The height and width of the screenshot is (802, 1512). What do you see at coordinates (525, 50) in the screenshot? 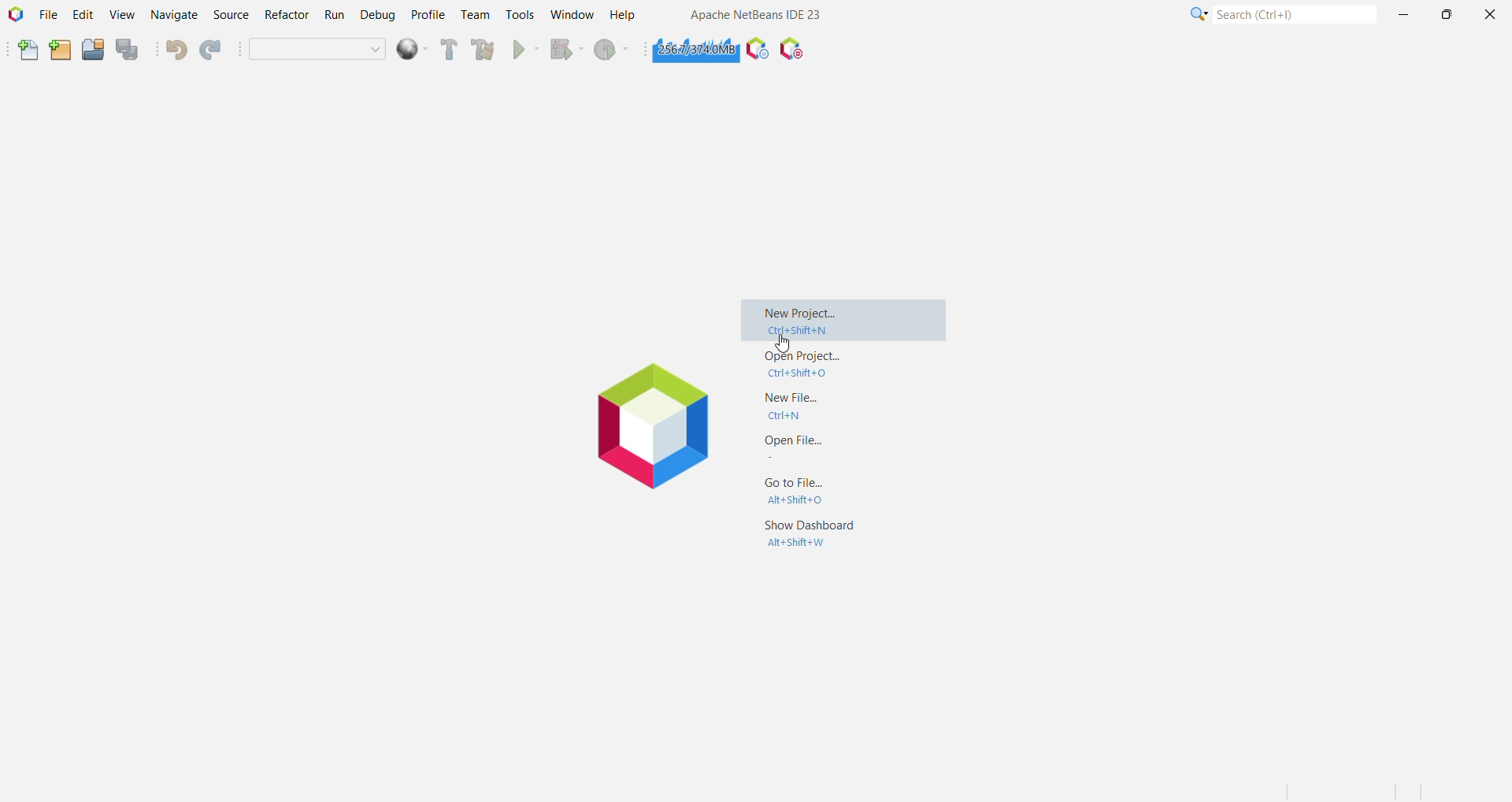
I see `Run Project` at bounding box center [525, 50].